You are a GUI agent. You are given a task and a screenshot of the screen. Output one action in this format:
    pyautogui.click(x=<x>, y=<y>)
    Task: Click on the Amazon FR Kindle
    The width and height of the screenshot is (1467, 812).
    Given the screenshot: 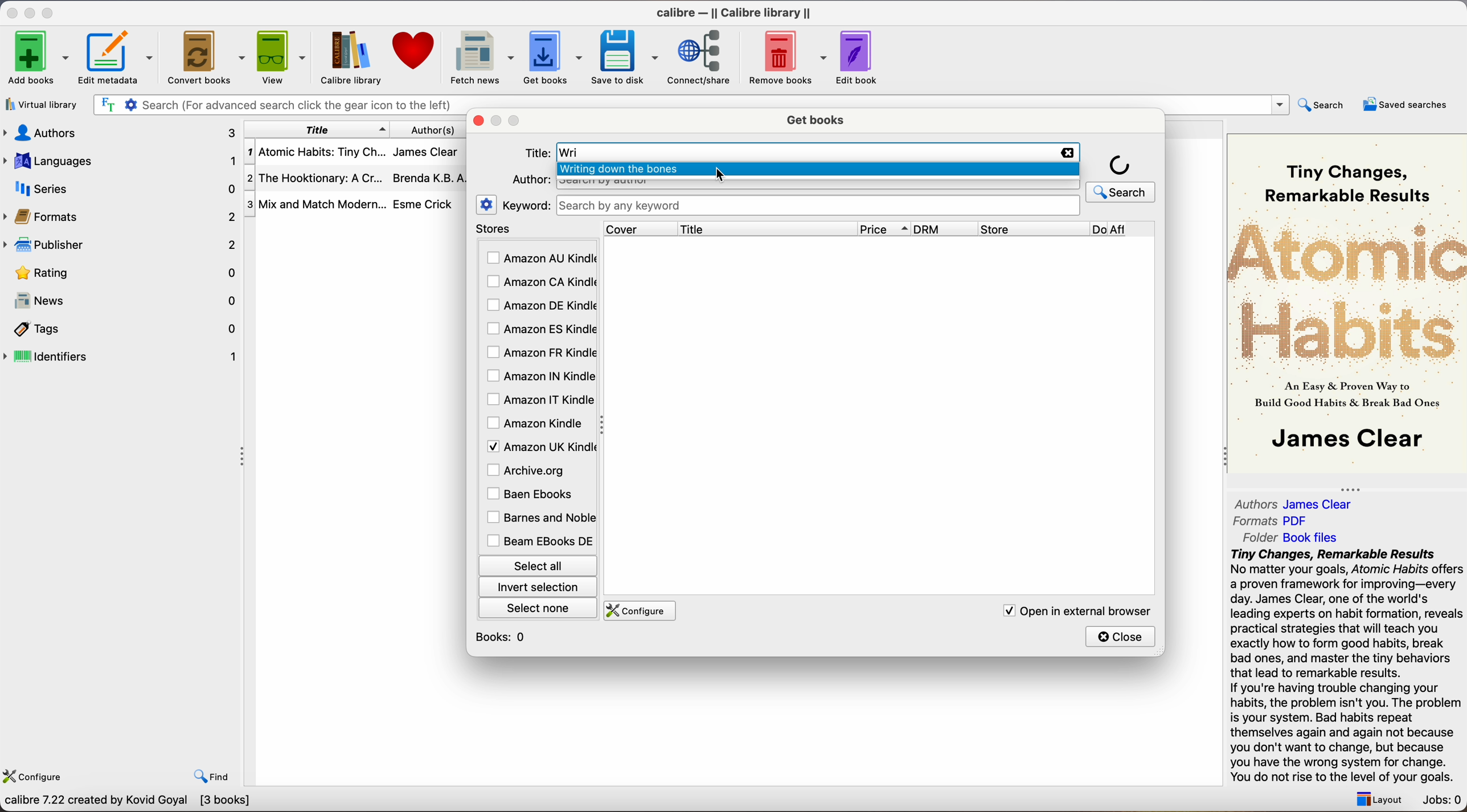 What is the action you would take?
    pyautogui.click(x=540, y=351)
    